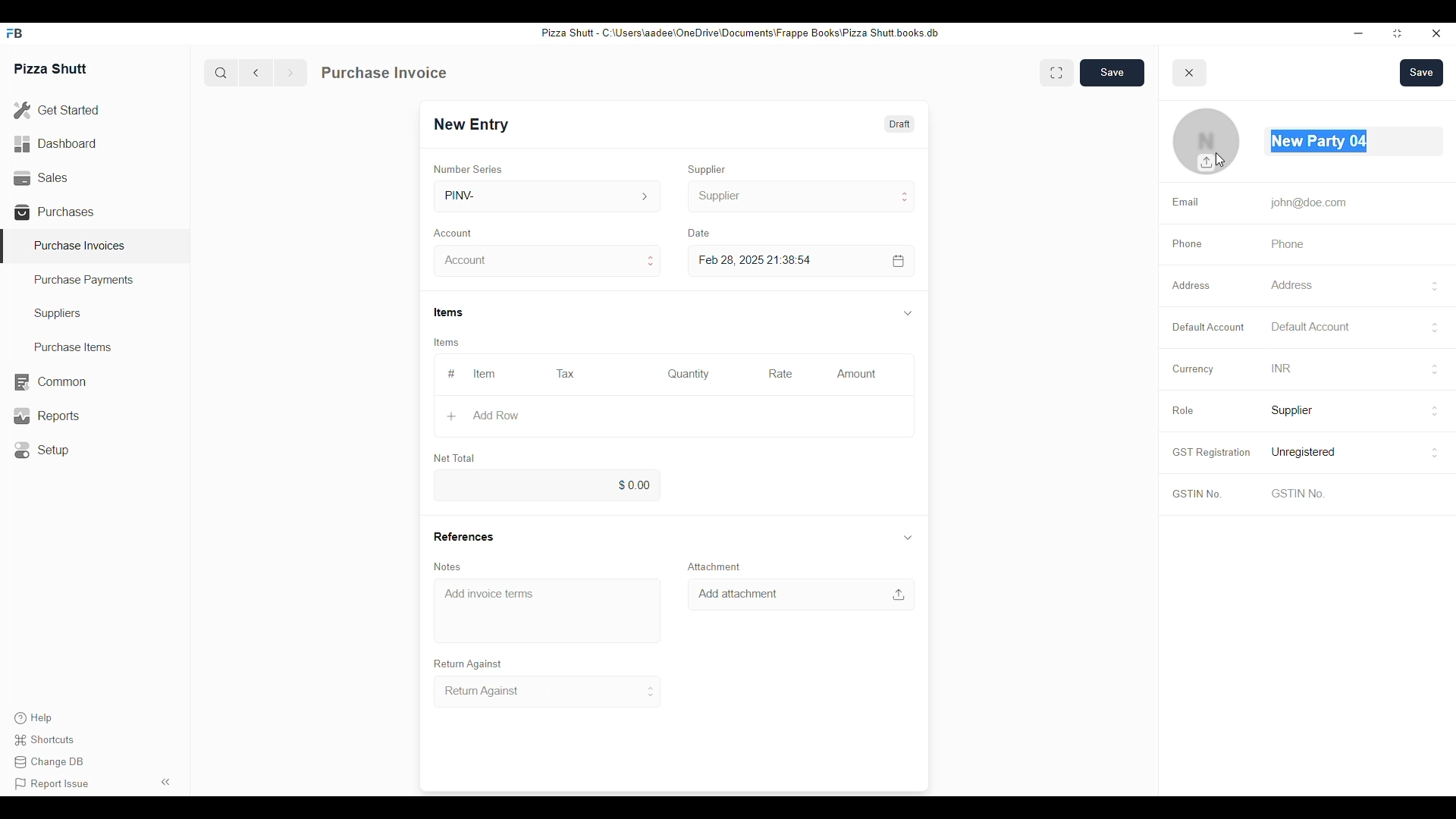 This screenshot has height=819, width=1456. What do you see at coordinates (1190, 369) in the screenshot?
I see `Currency` at bounding box center [1190, 369].